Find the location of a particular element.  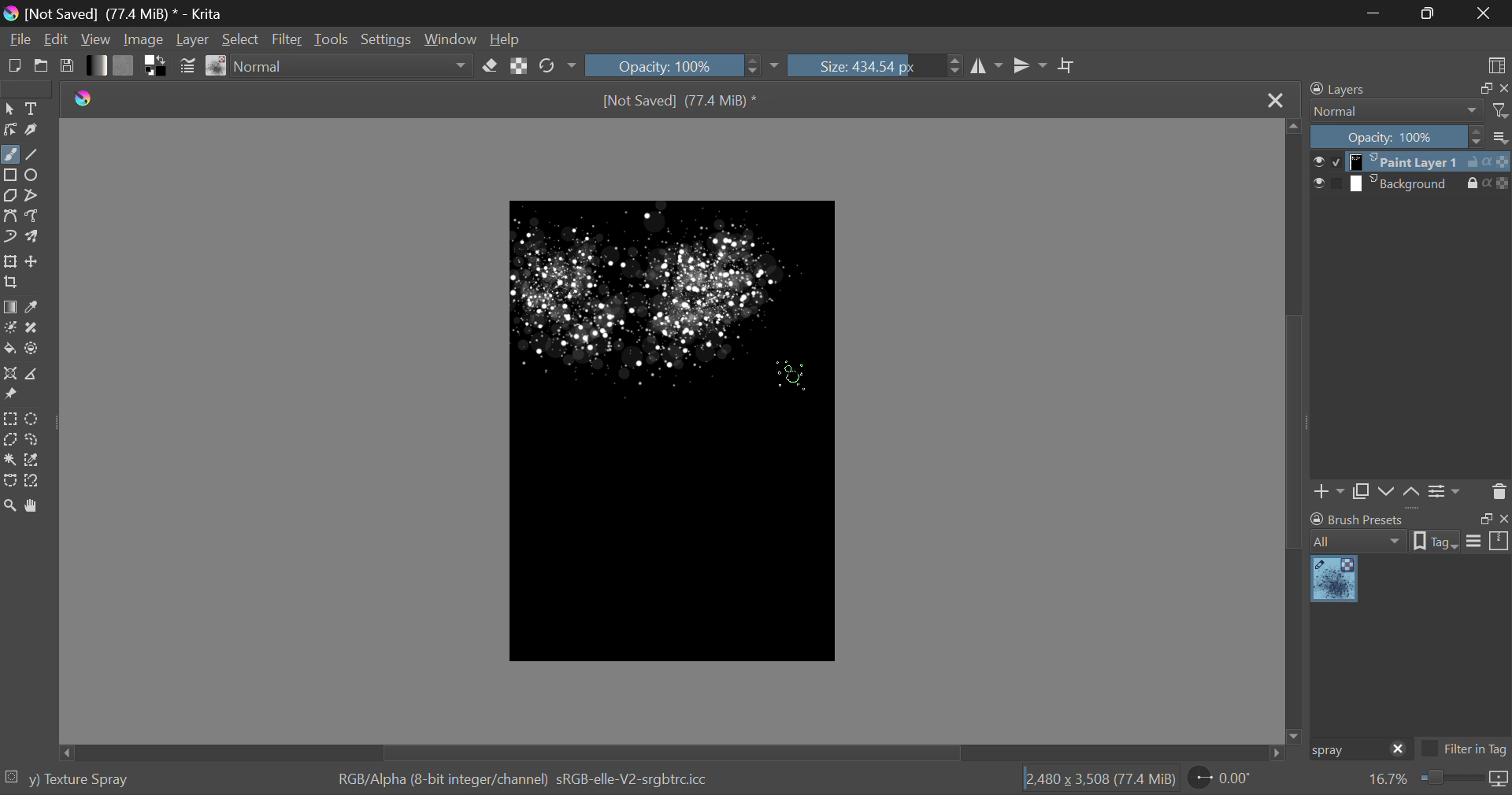

Circular Selection is located at coordinates (32, 419).